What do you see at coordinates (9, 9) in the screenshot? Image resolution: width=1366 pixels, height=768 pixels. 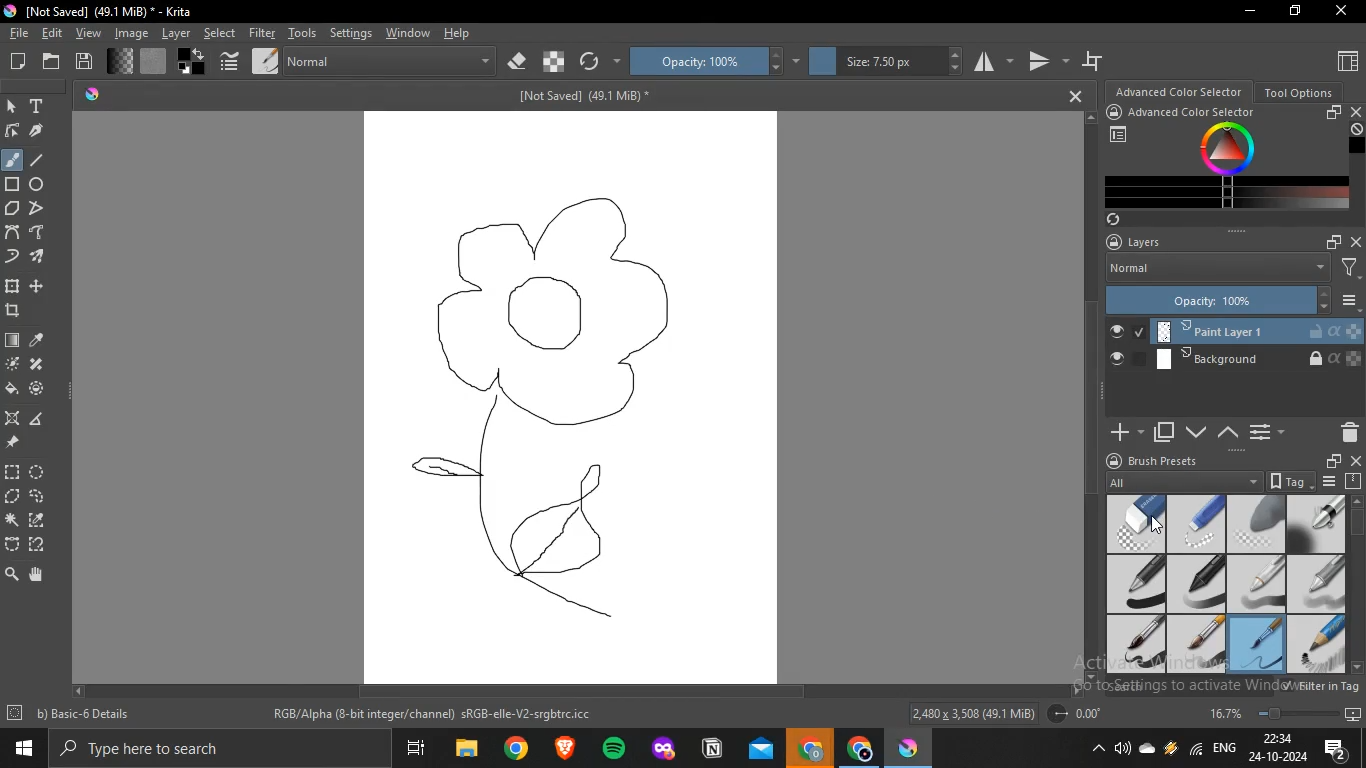 I see `logo` at bounding box center [9, 9].